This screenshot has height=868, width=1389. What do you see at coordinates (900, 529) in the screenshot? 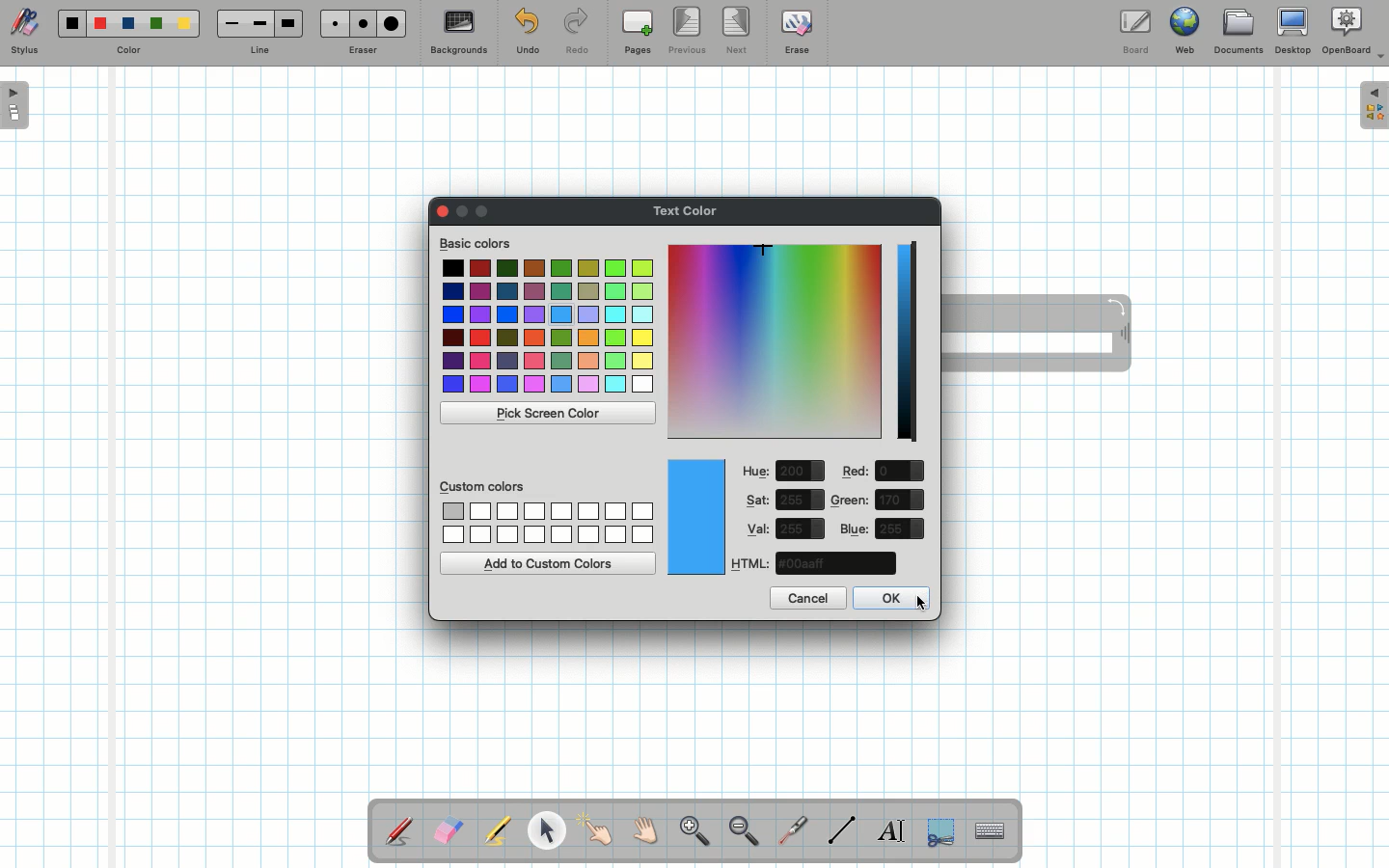
I see `value` at bounding box center [900, 529].